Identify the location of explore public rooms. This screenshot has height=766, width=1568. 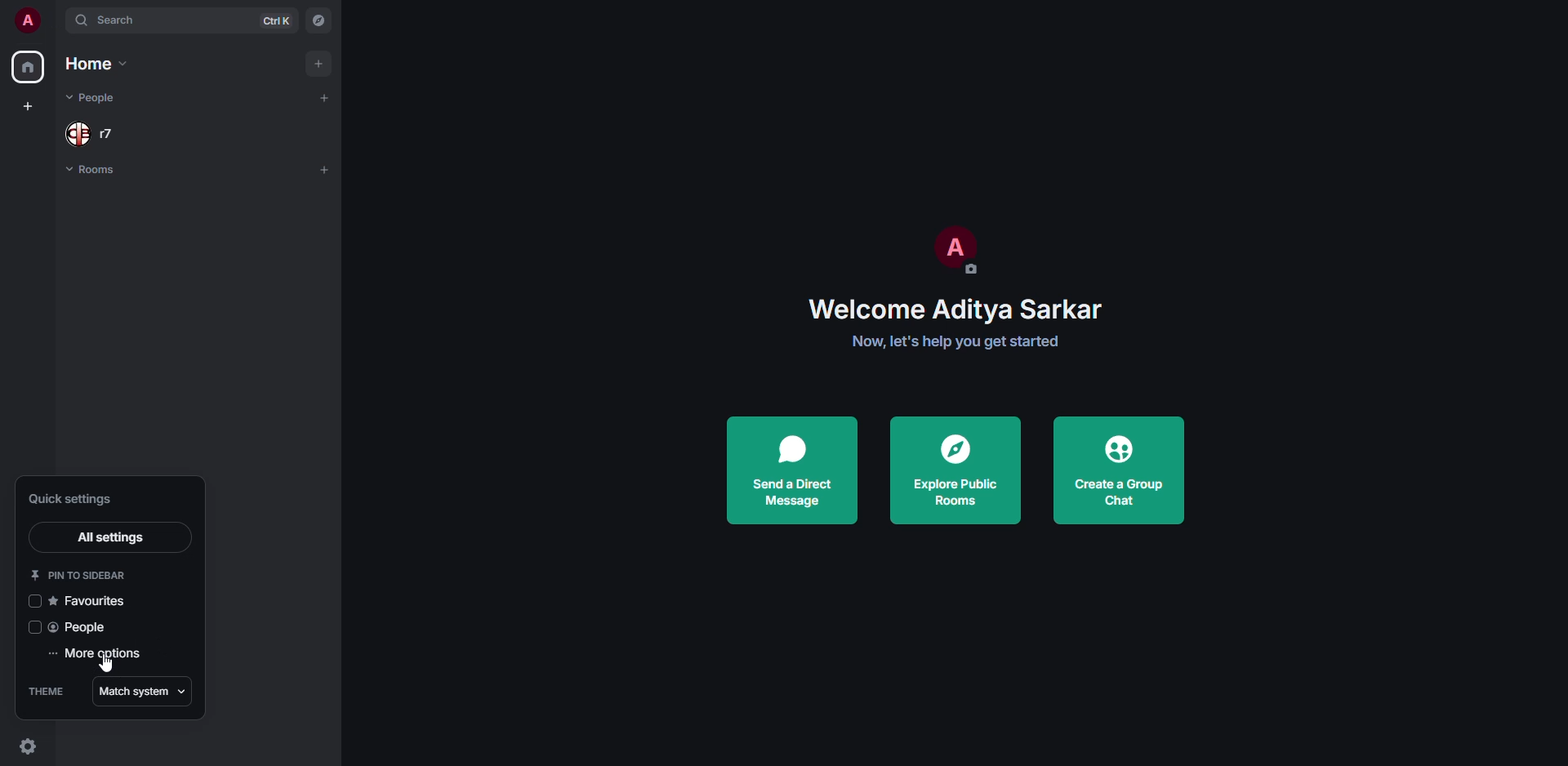
(952, 472).